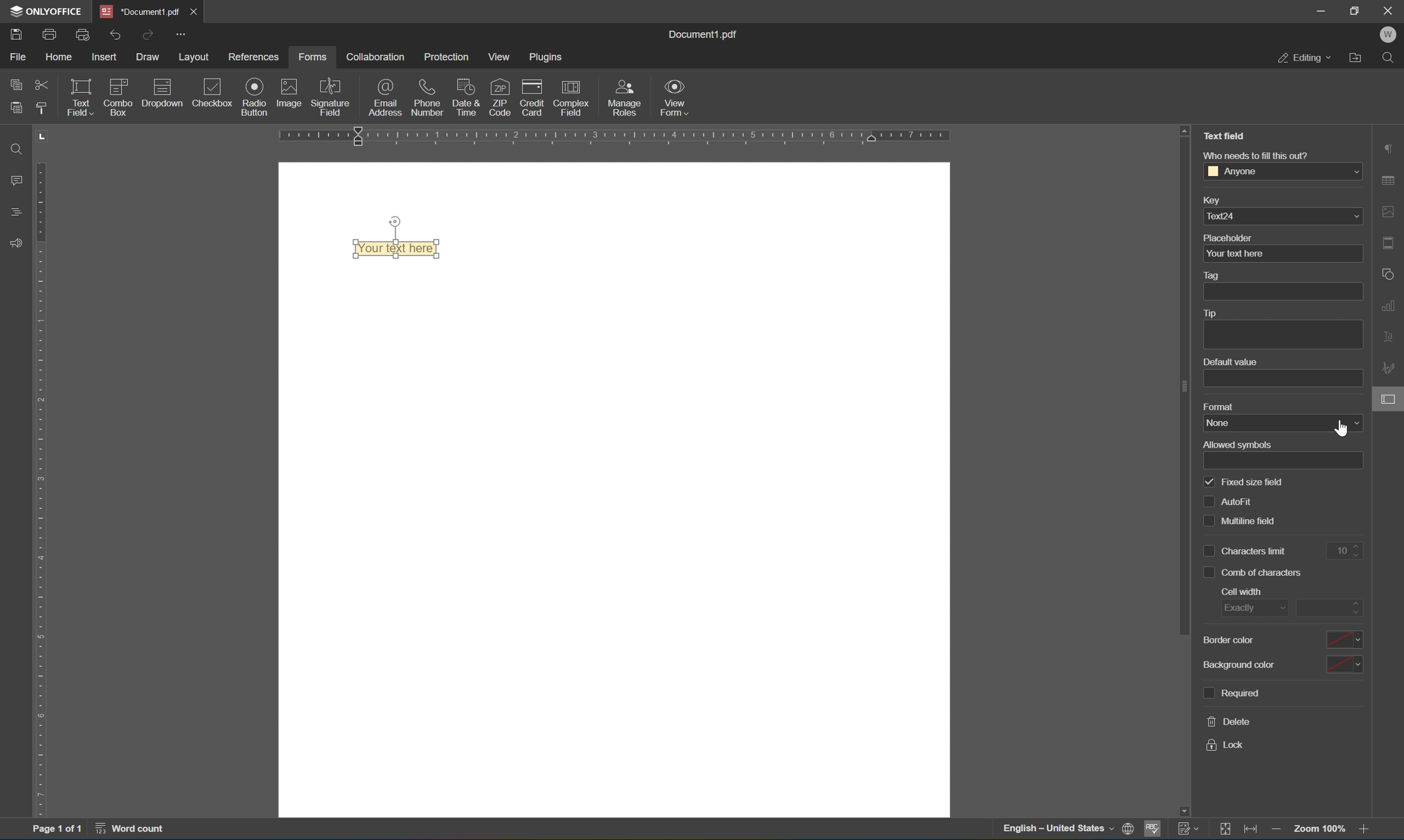  What do you see at coordinates (331, 97) in the screenshot?
I see `signature field` at bounding box center [331, 97].